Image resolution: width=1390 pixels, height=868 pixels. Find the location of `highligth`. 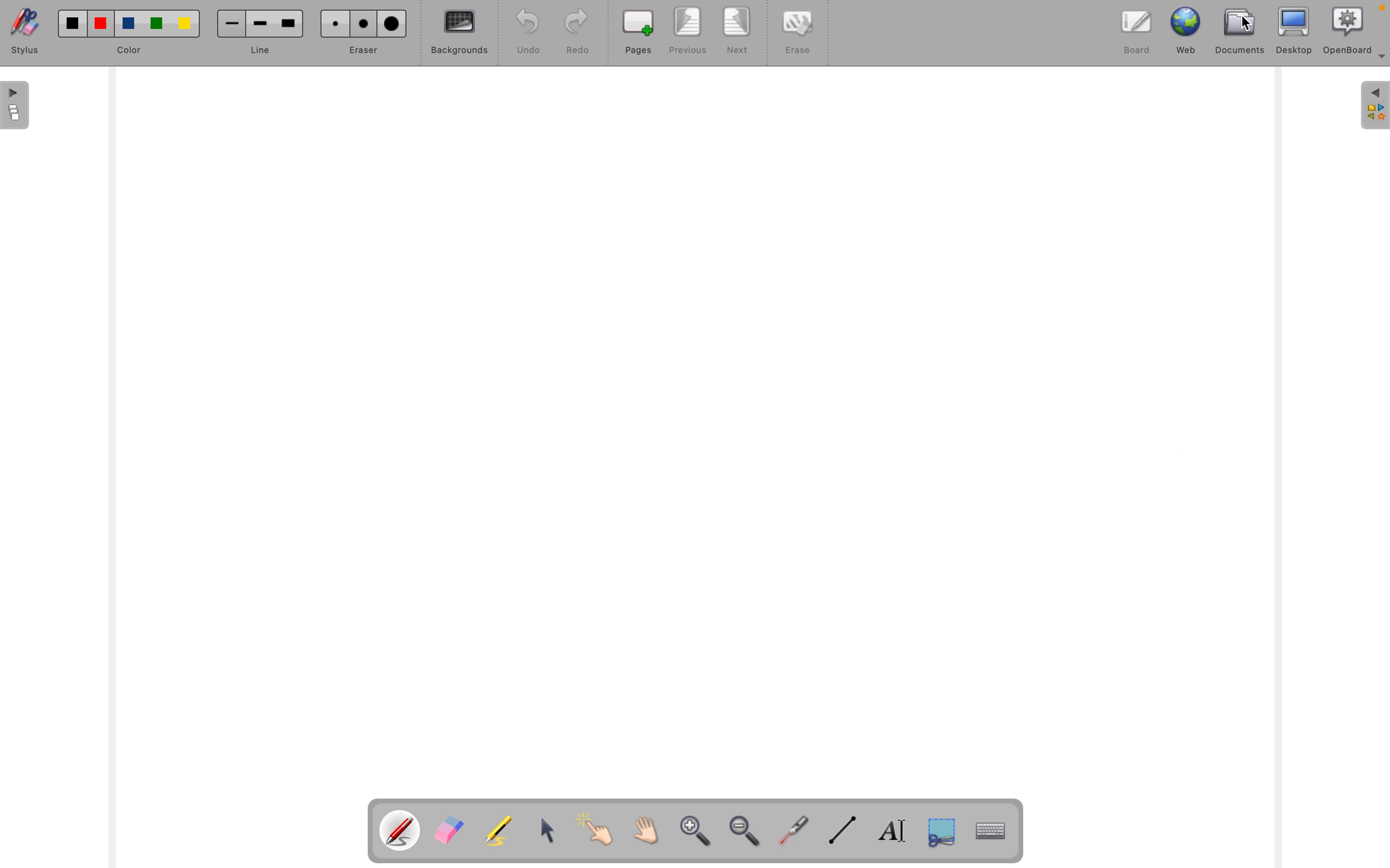

highligth is located at coordinates (501, 832).